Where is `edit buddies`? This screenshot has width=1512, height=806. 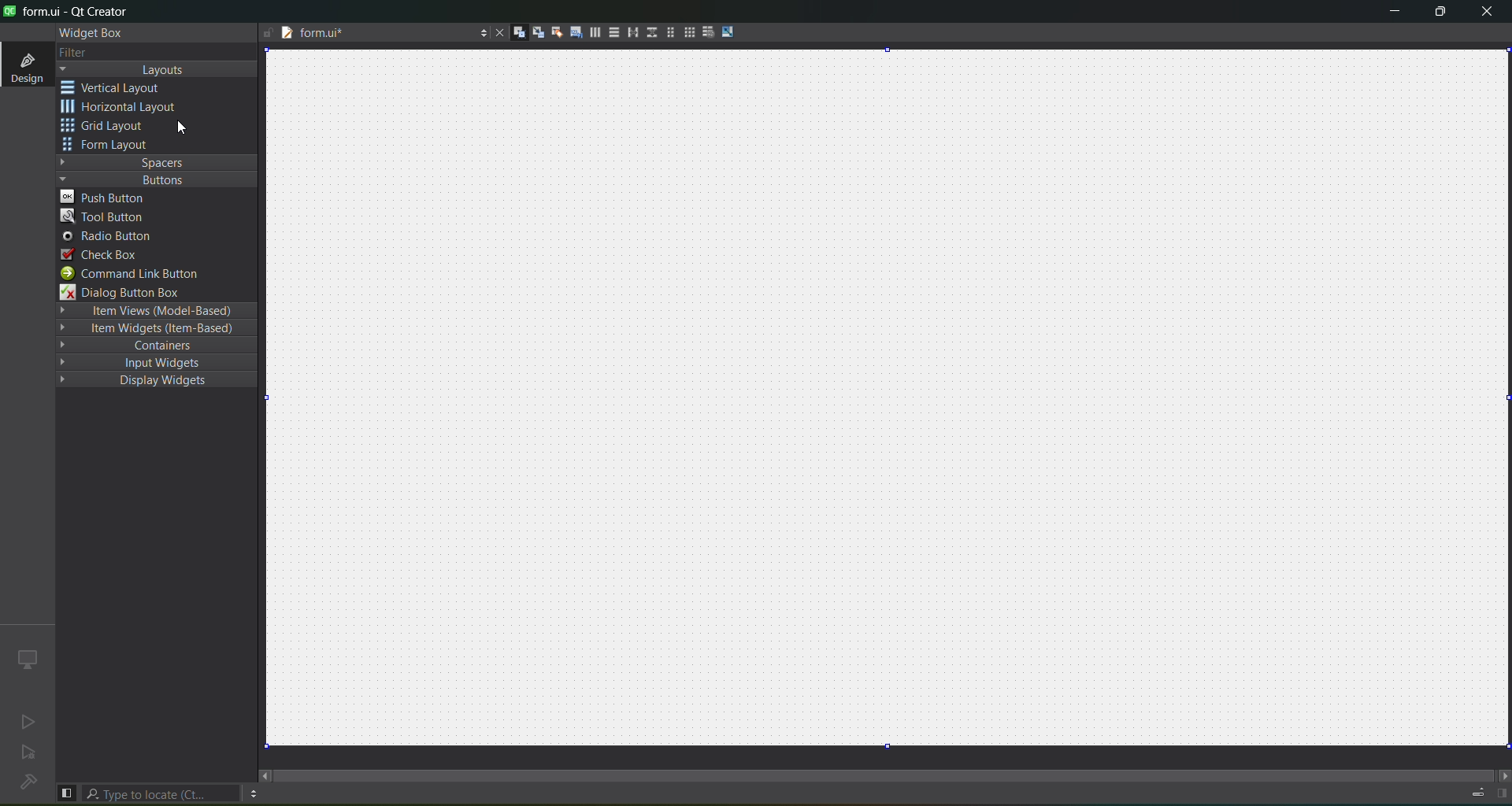 edit buddies is located at coordinates (554, 31).